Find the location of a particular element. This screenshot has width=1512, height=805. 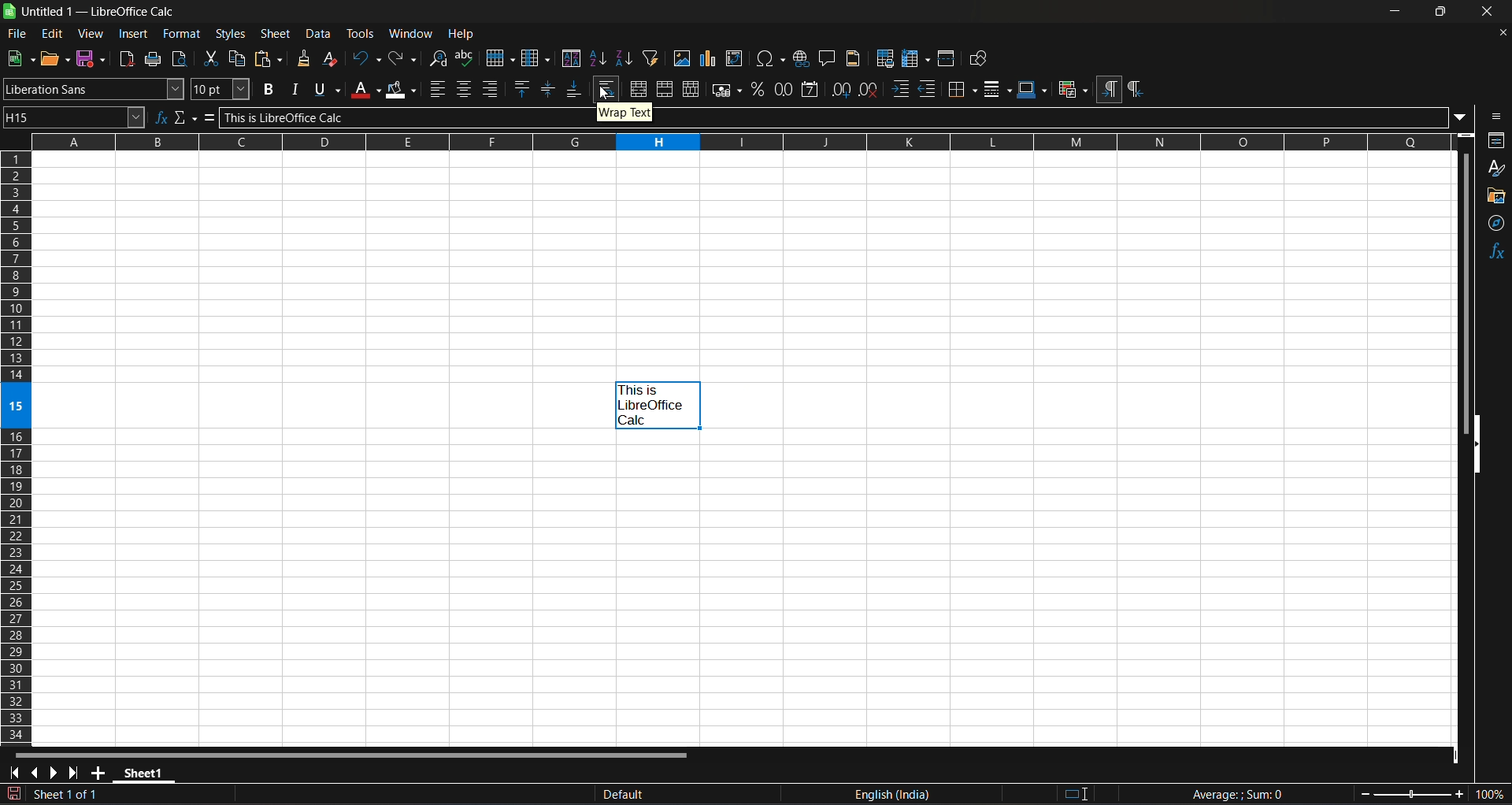

wrap text is located at coordinates (606, 89).